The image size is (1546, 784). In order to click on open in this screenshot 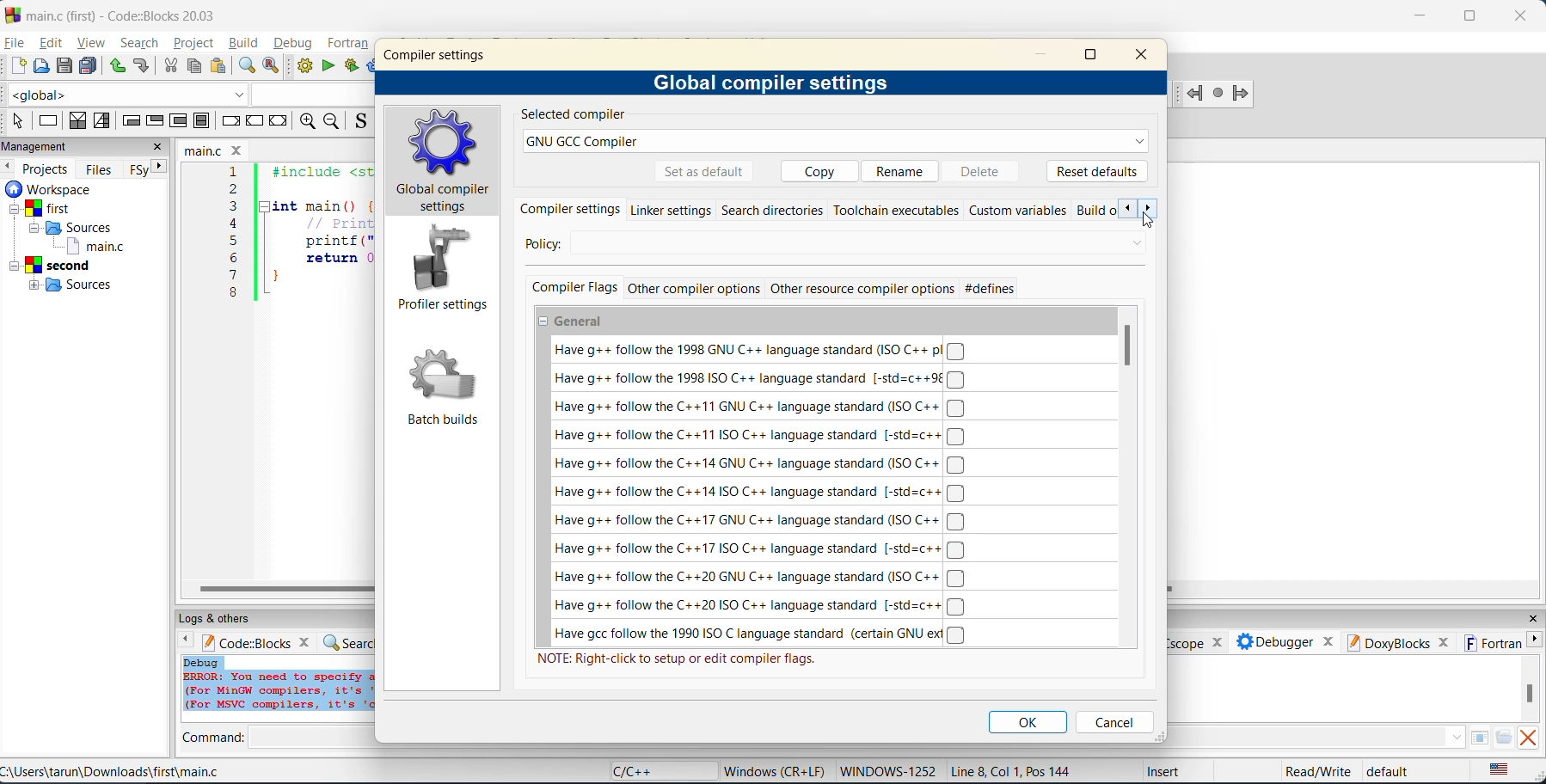, I will do `click(43, 67)`.